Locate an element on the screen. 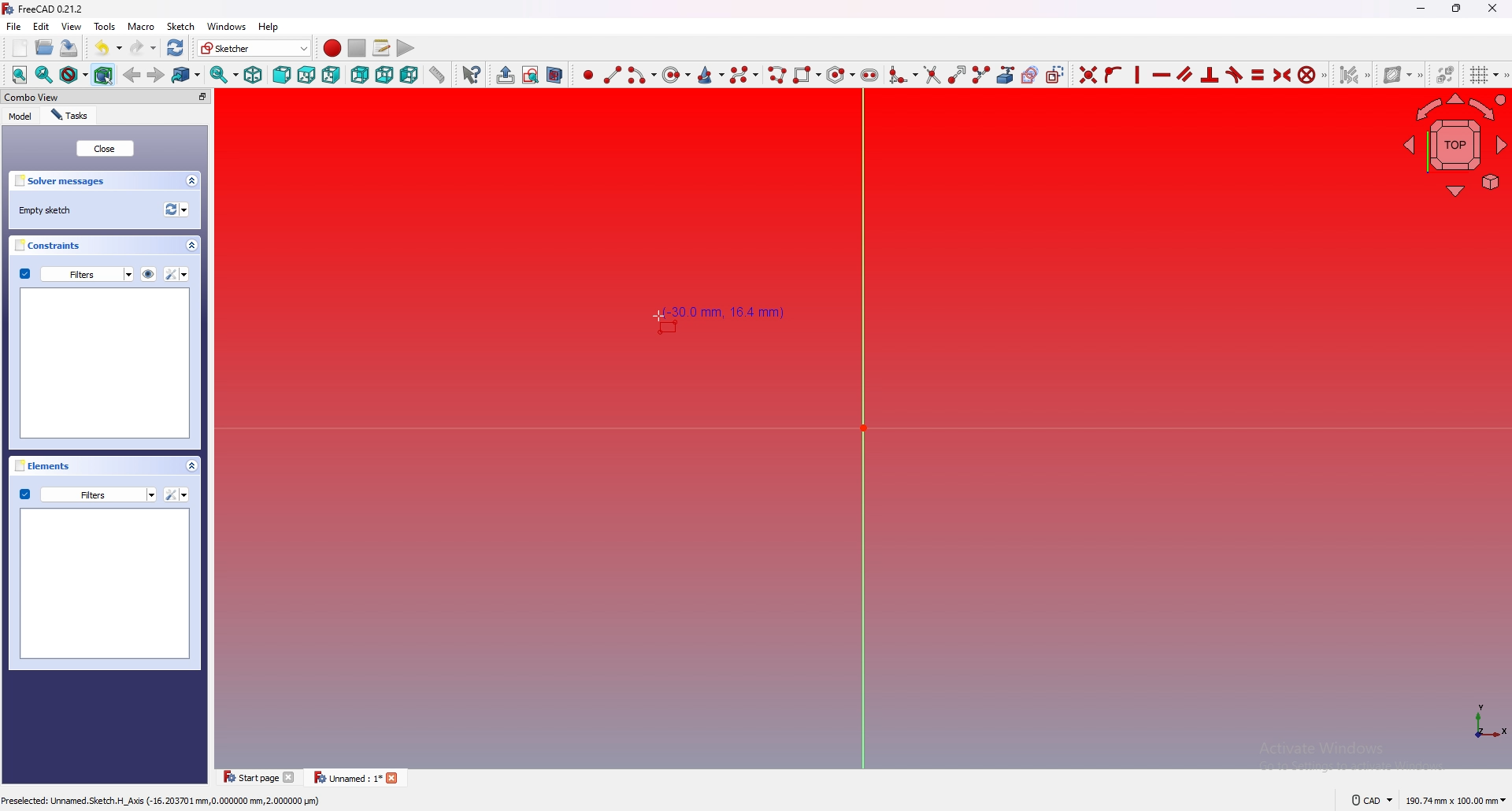  close is located at coordinates (1489, 9).